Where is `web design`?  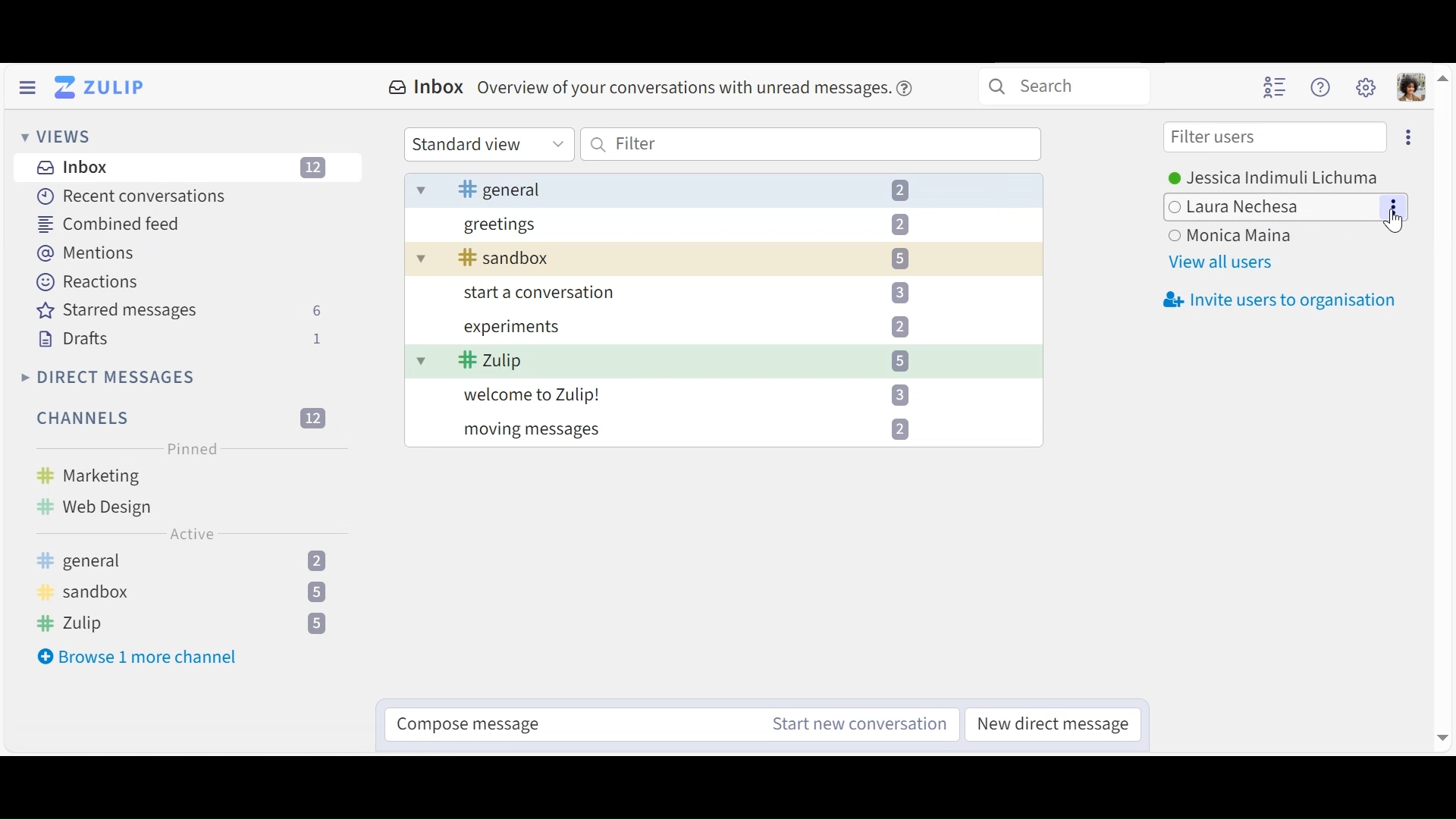 web design is located at coordinates (108, 506).